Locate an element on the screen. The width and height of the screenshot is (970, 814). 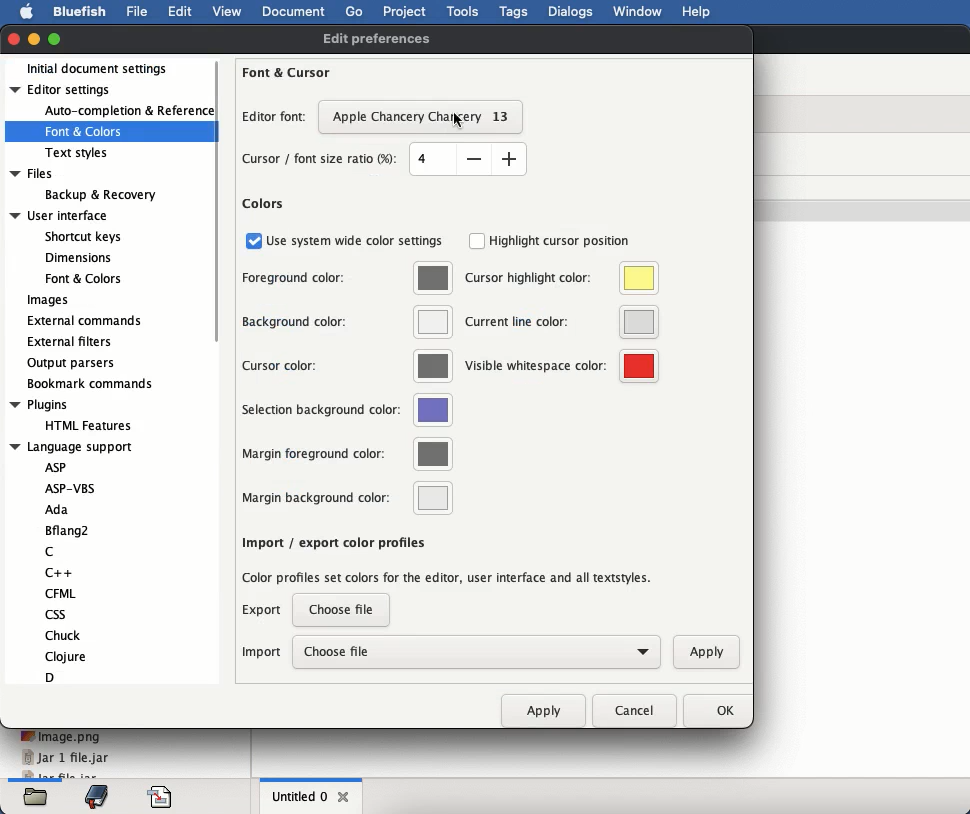
ok is located at coordinates (713, 712).